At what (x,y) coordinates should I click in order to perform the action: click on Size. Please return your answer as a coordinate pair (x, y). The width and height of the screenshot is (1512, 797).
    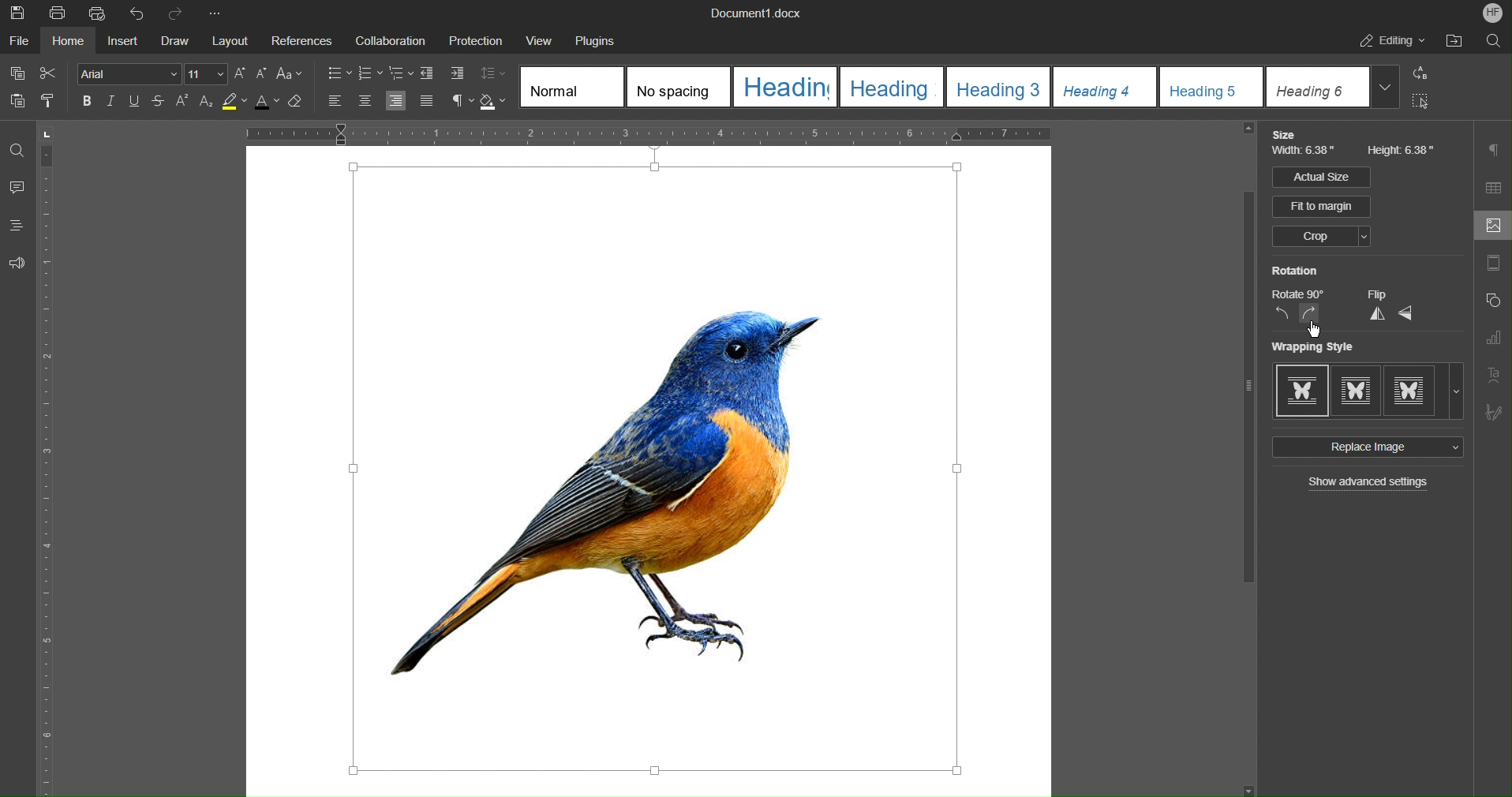
    Looking at the image, I should click on (1284, 133).